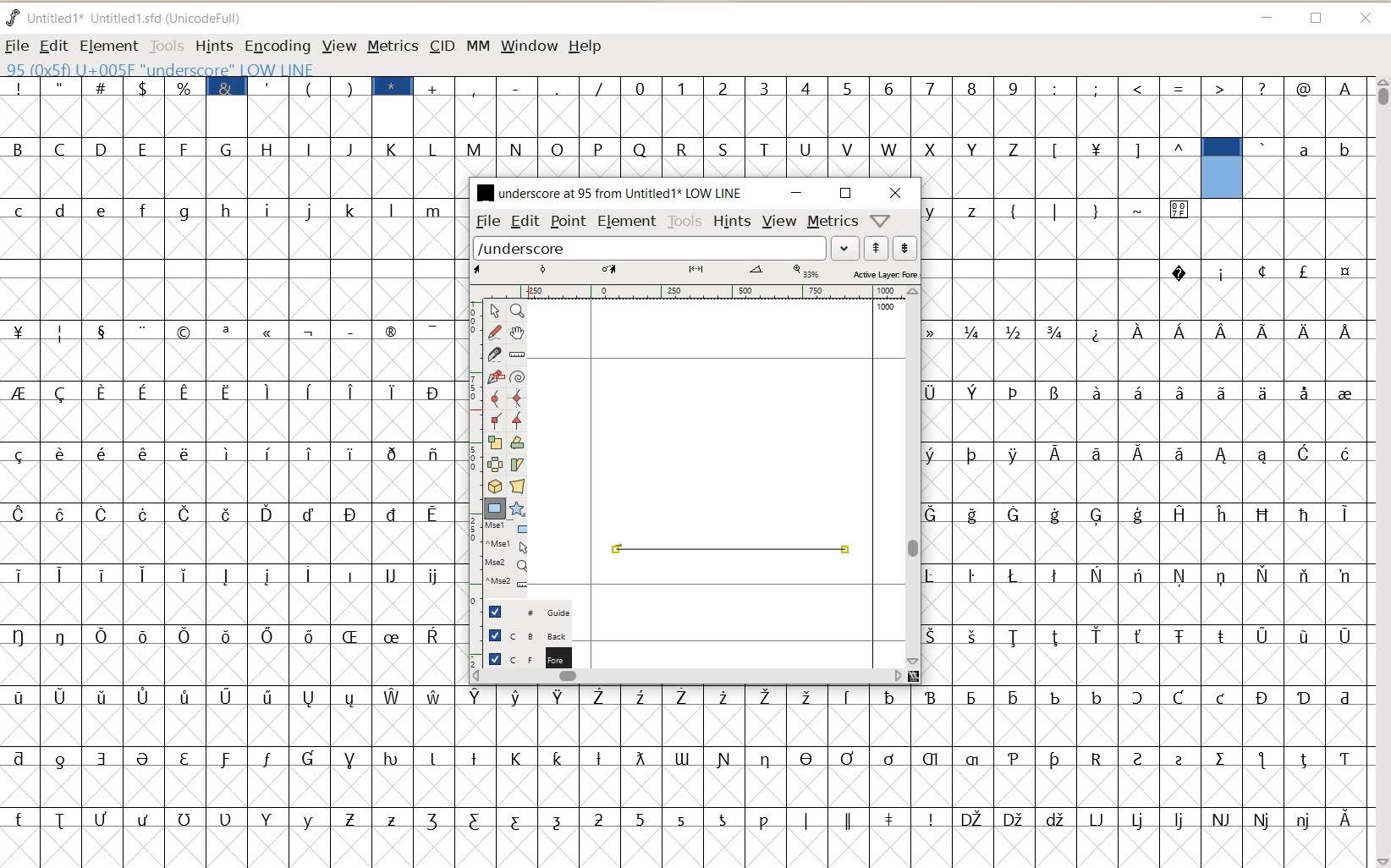 This screenshot has height=868, width=1391. What do you see at coordinates (494, 398) in the screenshot?
I see `add a curve point` at bounding box center [494, 398].